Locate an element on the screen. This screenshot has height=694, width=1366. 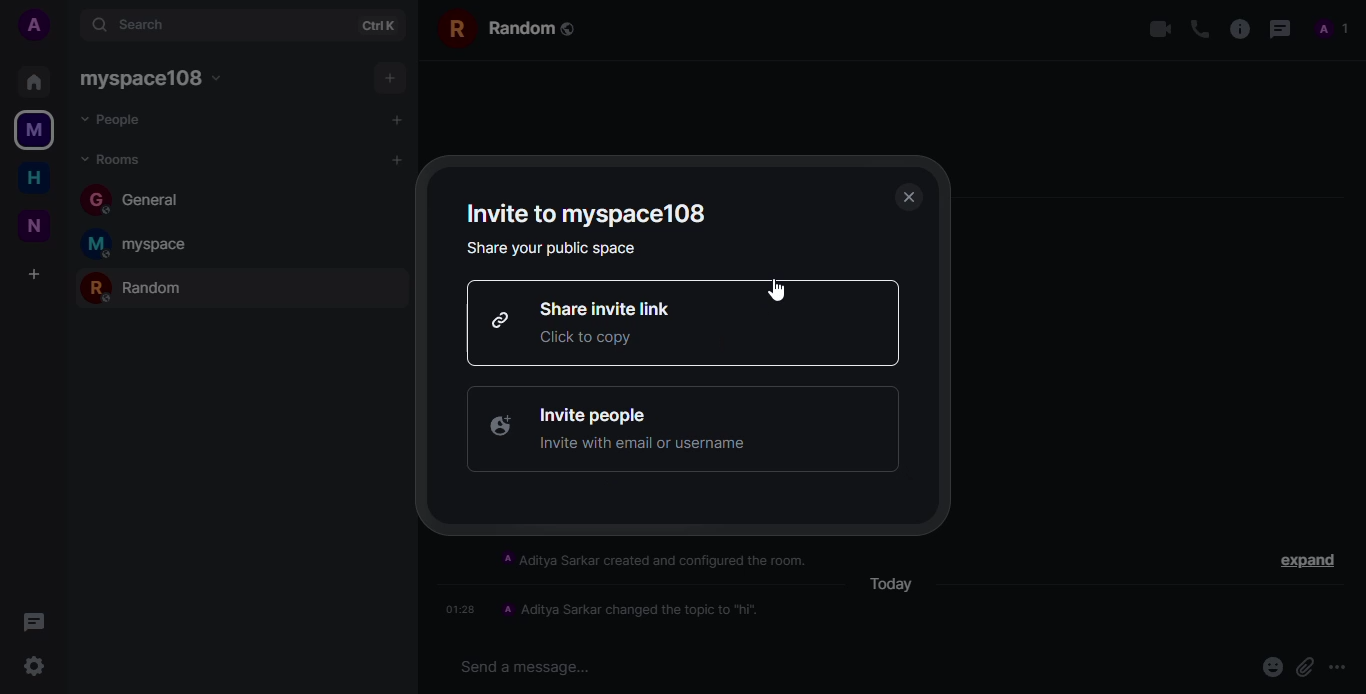
info is located at coordinates (1238, 30).